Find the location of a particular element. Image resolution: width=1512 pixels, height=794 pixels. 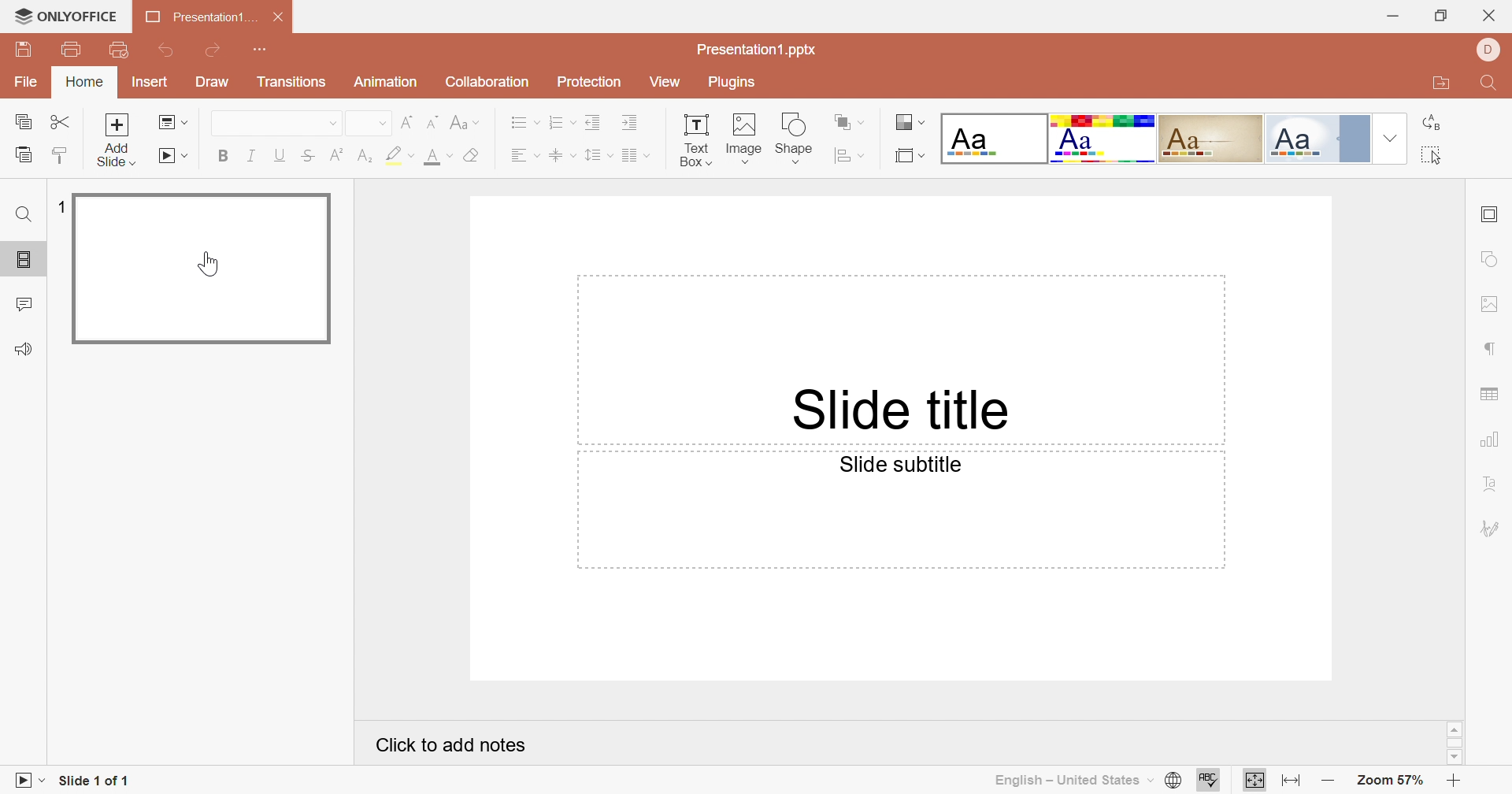

Paste is located at coordinates (21, 155).